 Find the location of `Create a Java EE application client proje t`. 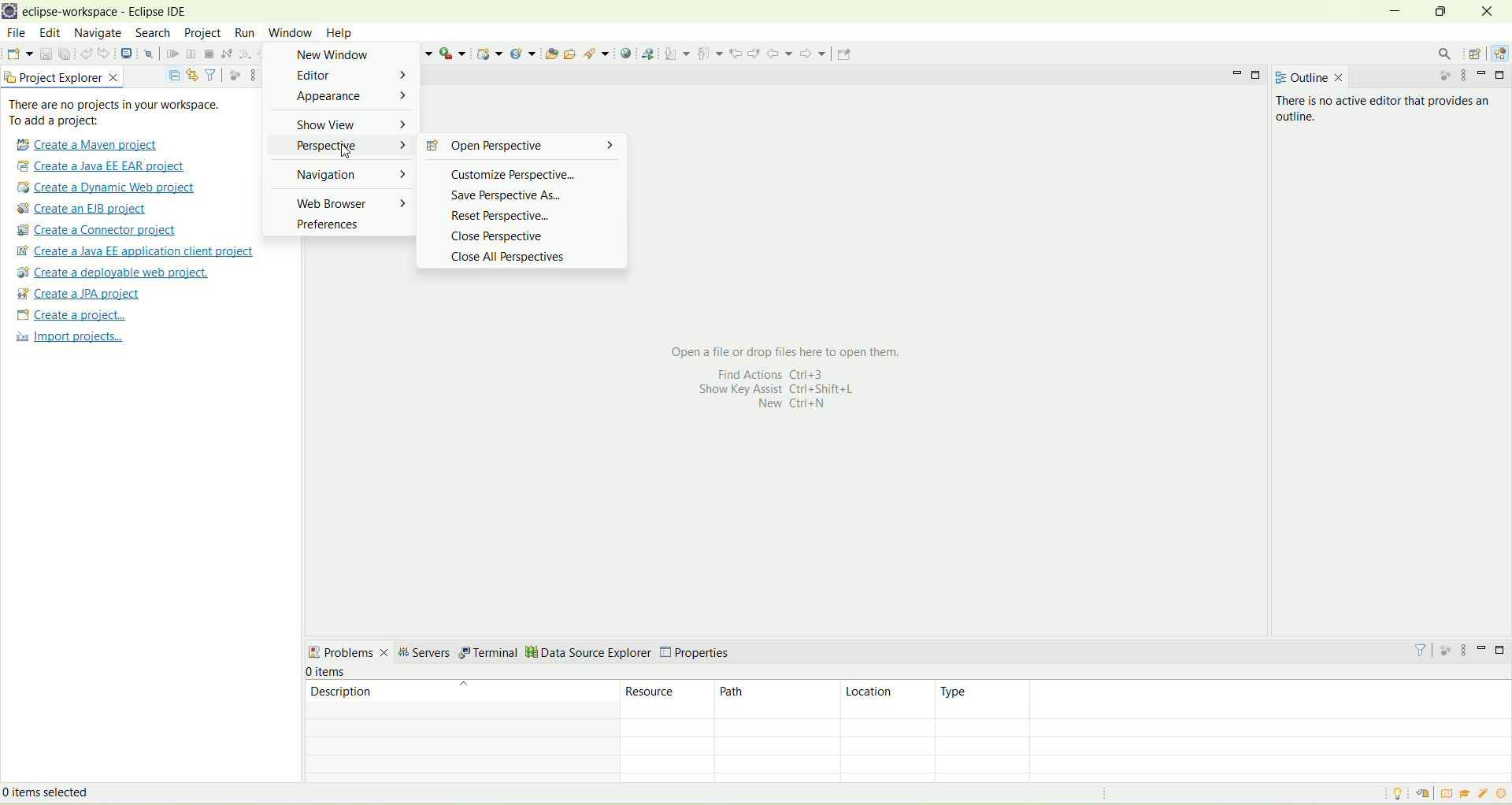

Create a Java EE application client proje t is located at coordinates (139, 251).